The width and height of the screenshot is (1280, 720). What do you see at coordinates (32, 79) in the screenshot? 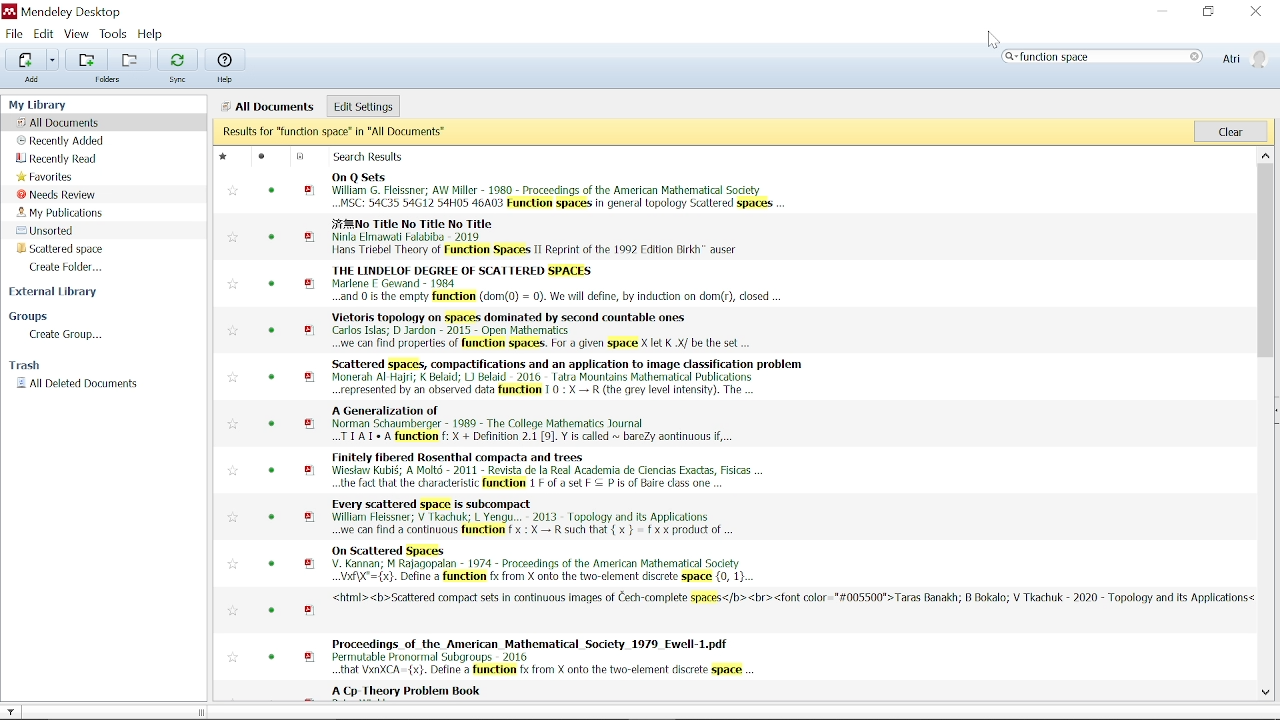
I see `Add` at bounding box center [32, 79].